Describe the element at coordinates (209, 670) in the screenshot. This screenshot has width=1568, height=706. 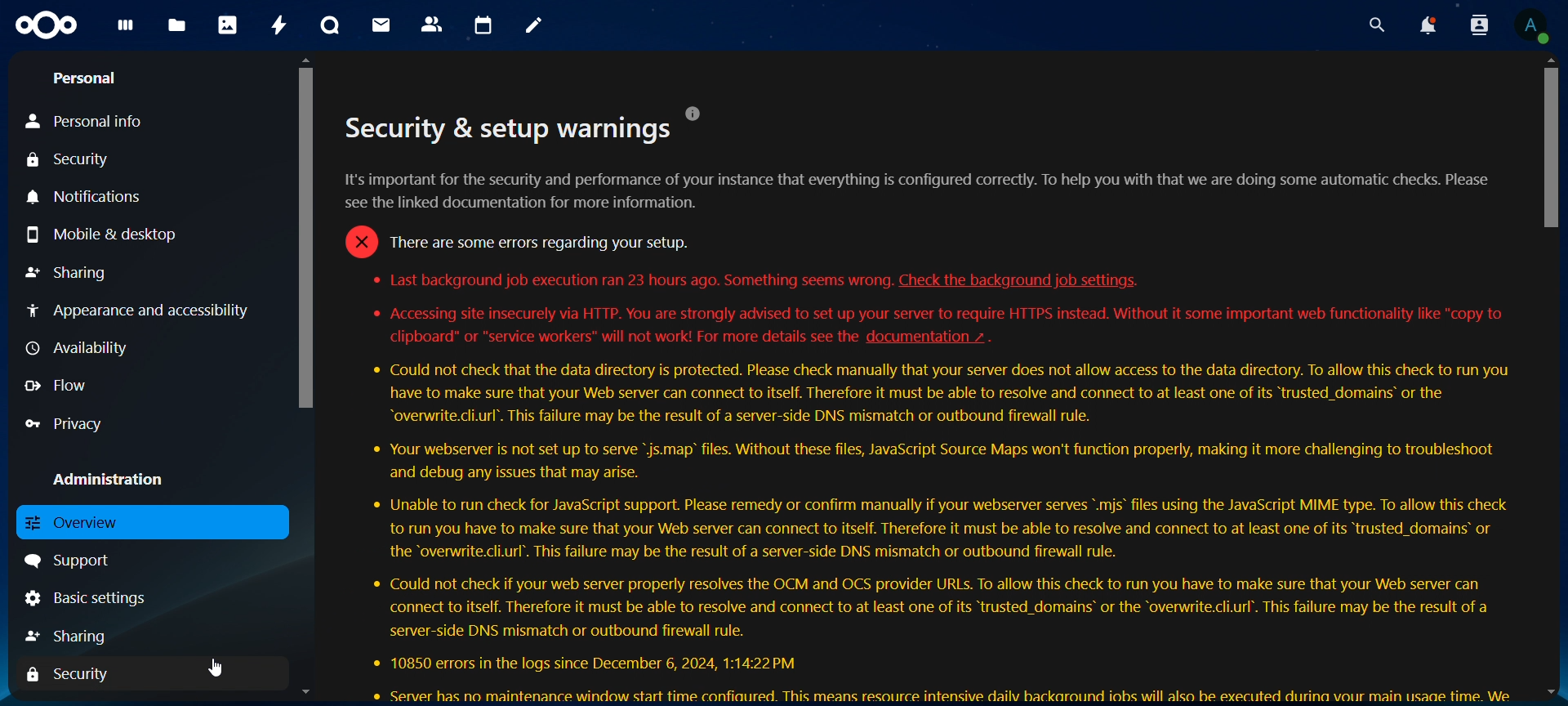
I see `Cursor` at that location.